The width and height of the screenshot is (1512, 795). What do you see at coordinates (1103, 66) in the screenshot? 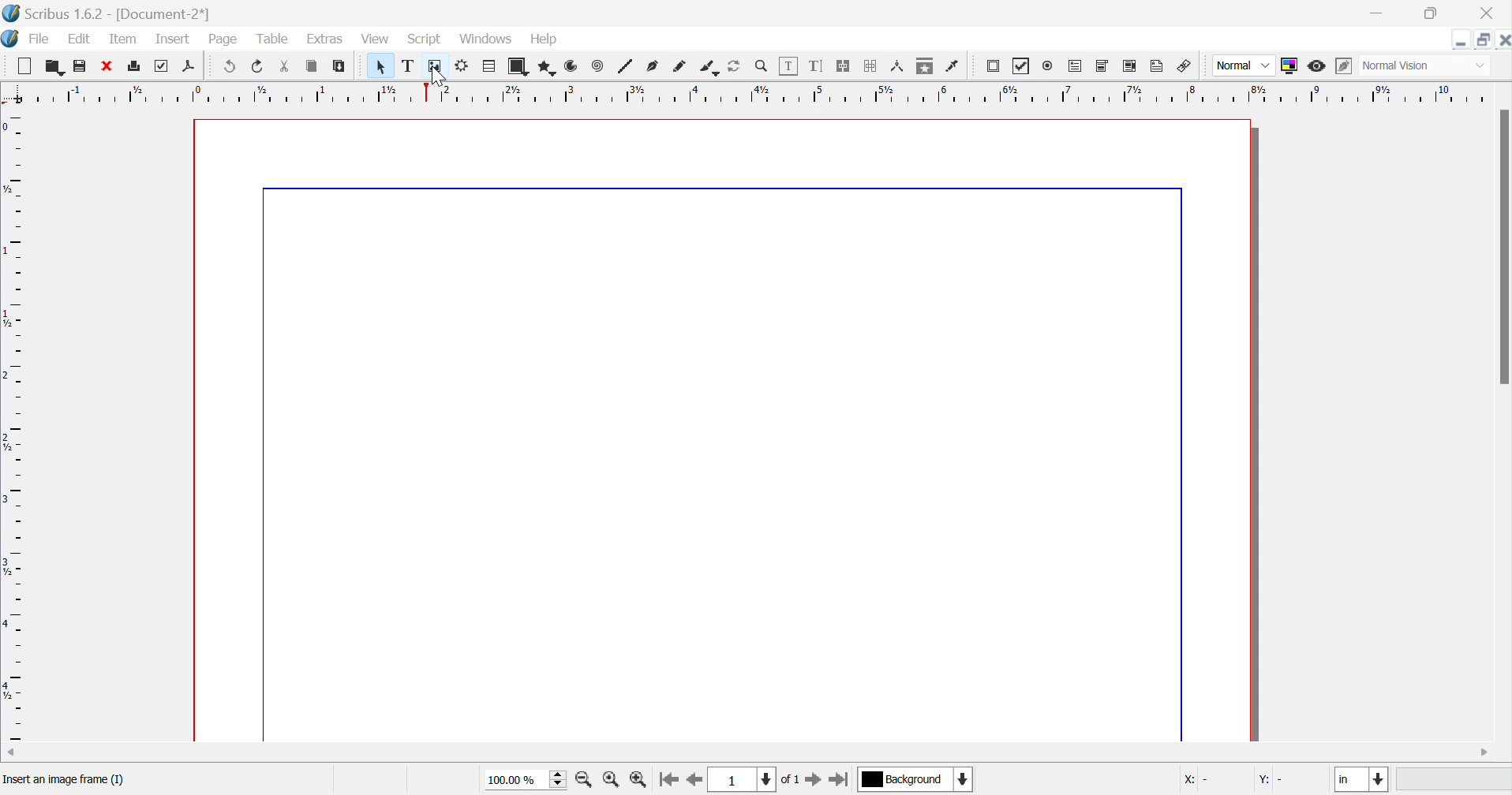
I see `PDF combo box` at bounding box center [1103, 66].